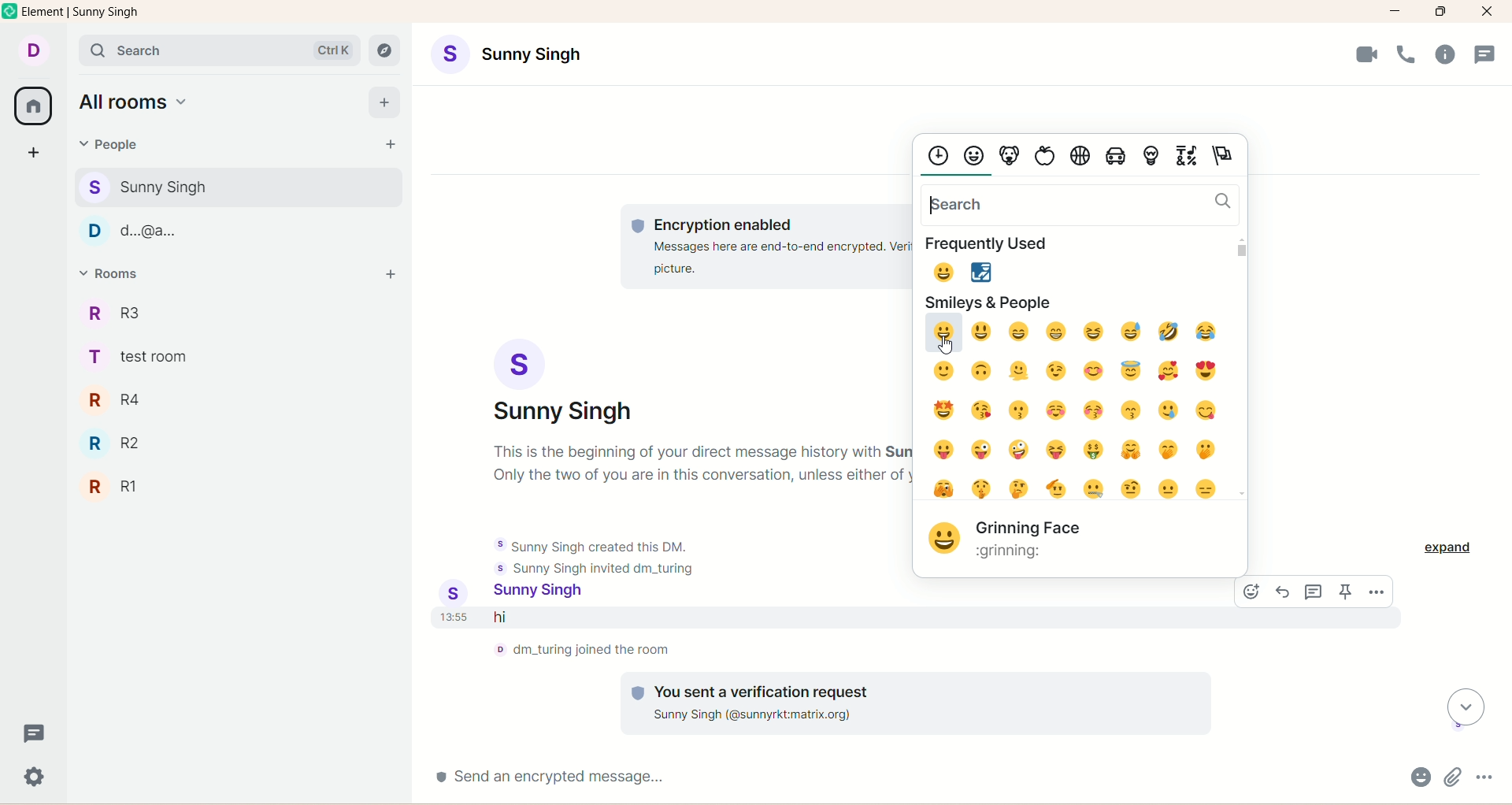  What do you see at coordinates (1057, 371) in the screenshot?
I see `Winking face` at bounding box center [1057, 371].